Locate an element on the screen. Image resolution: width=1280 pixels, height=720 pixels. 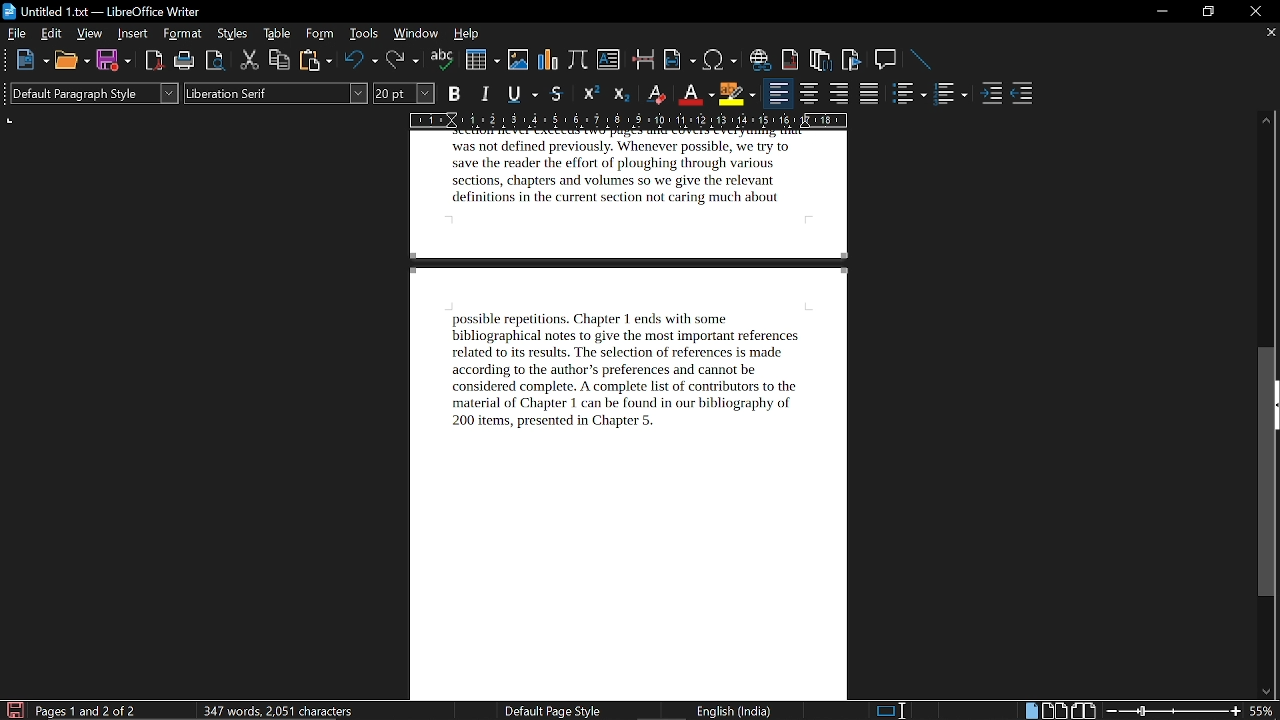
standard selection is located at coordinates (895, 710).